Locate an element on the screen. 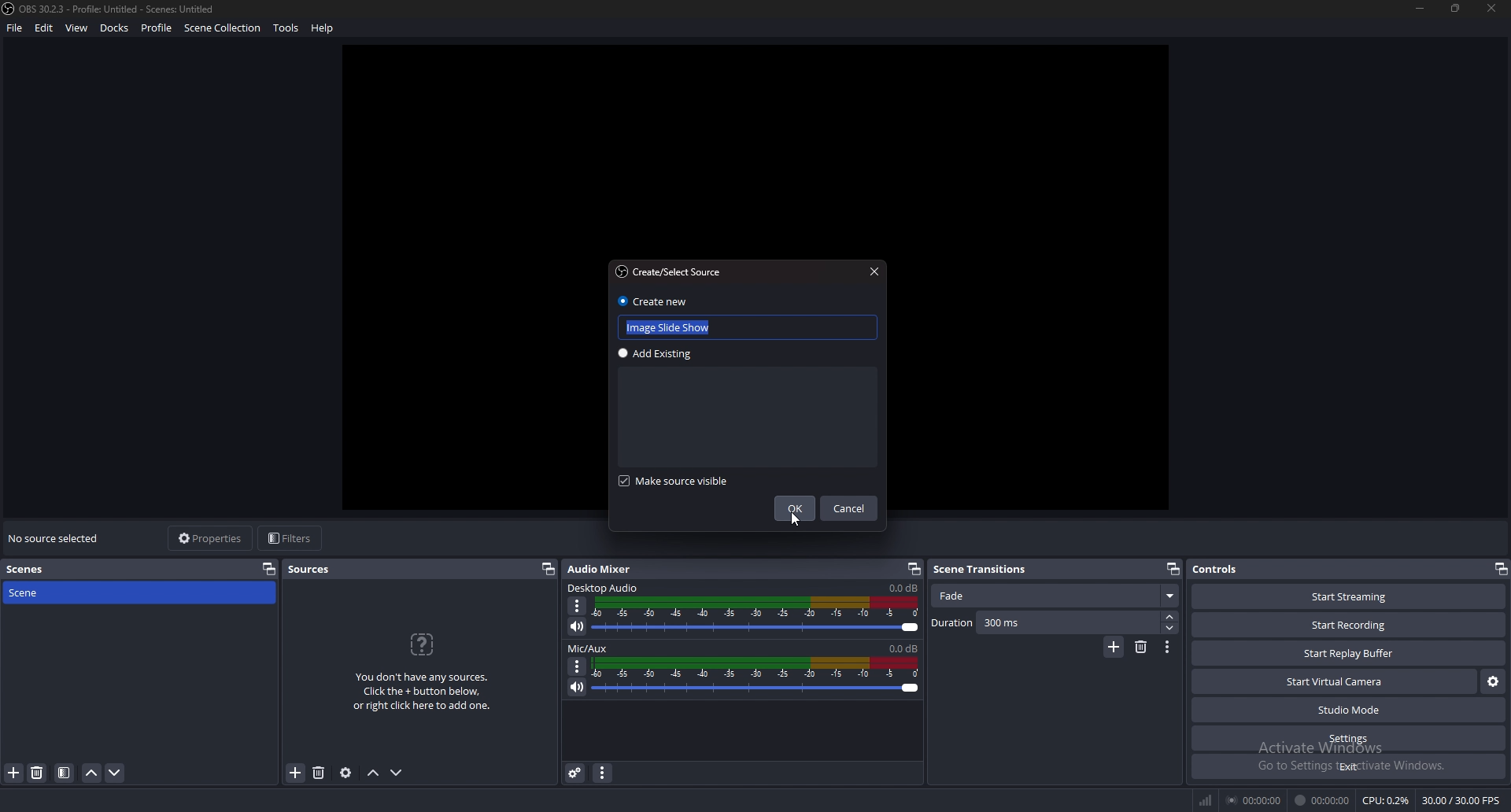 The height and width of the screenshot is (812, 1511). options is located at coordinates (578, 666).